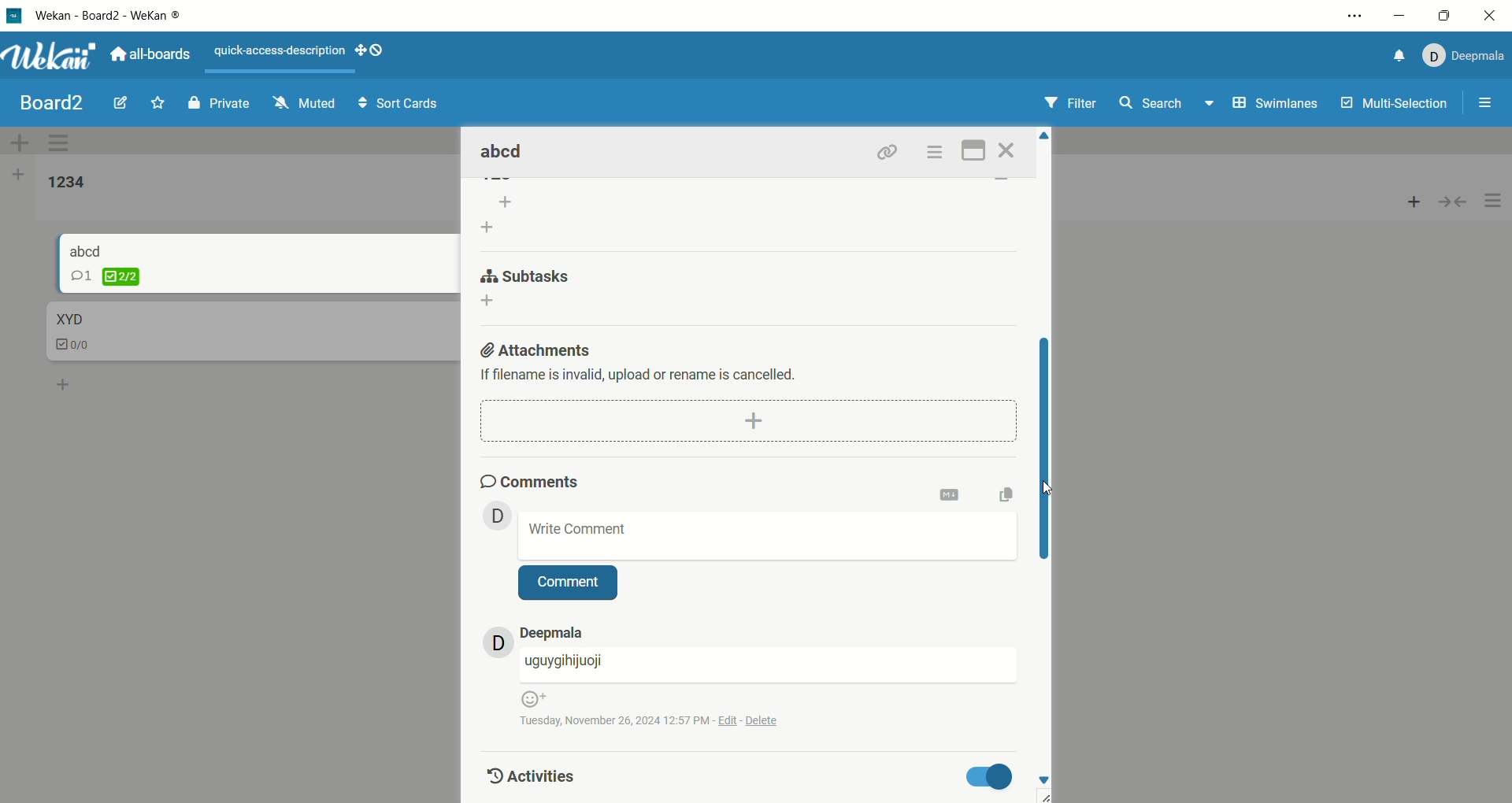  I want to click on board title, so click(54, 103).